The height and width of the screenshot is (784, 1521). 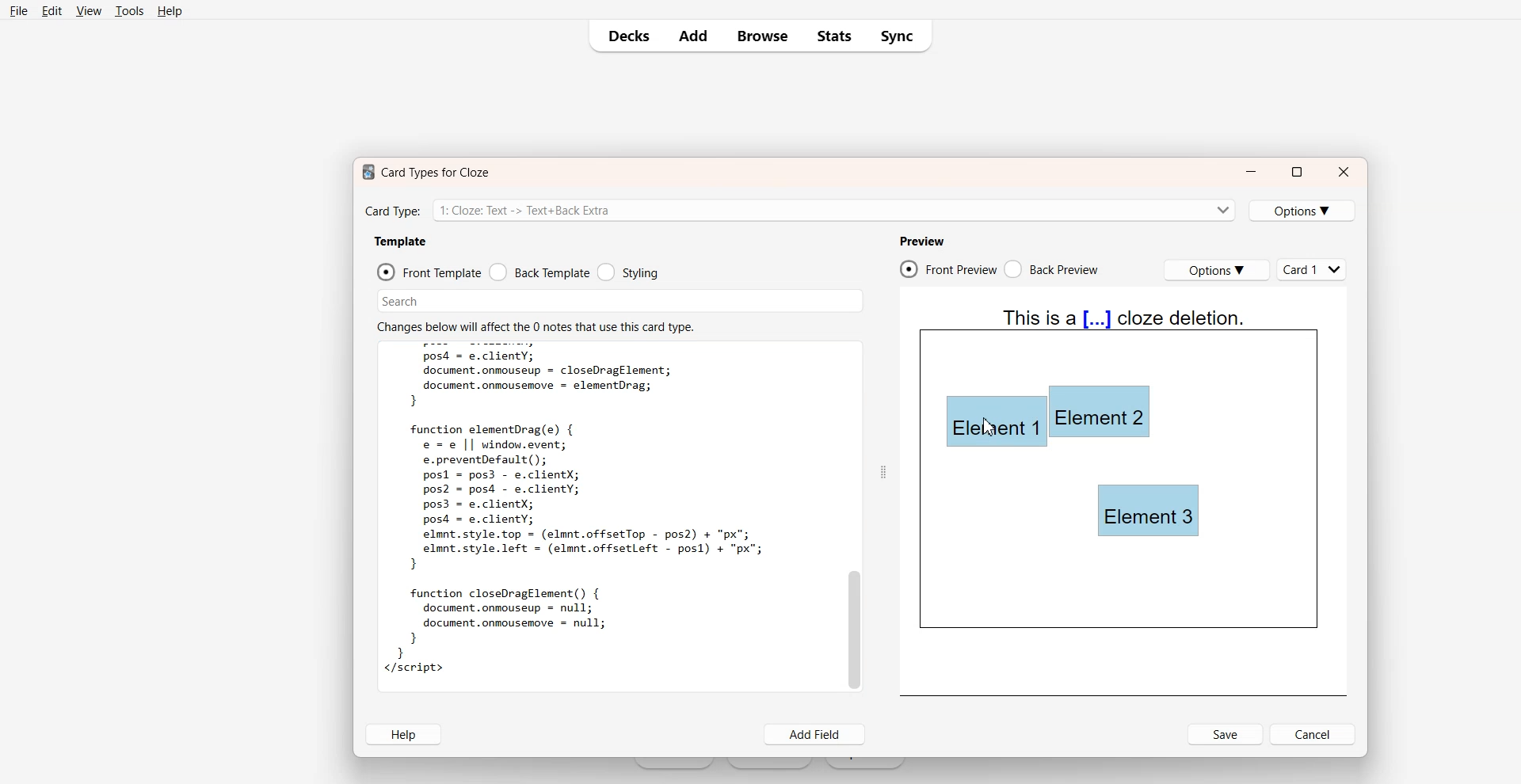 I want to click on Sync, so click(x=900, y=36).